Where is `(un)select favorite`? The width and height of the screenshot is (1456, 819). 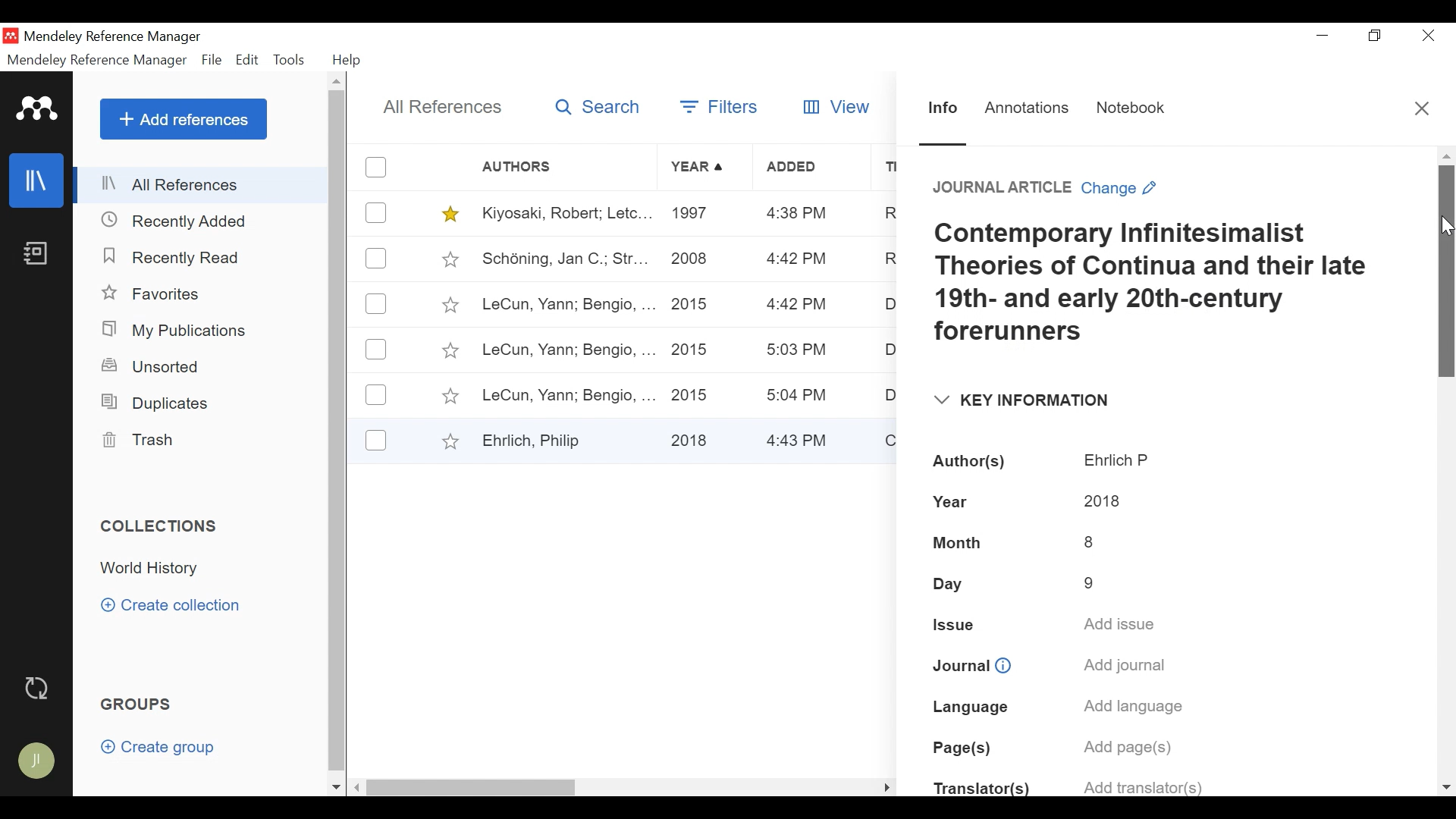
(un)select favorite is located at coordinates (448, 351).